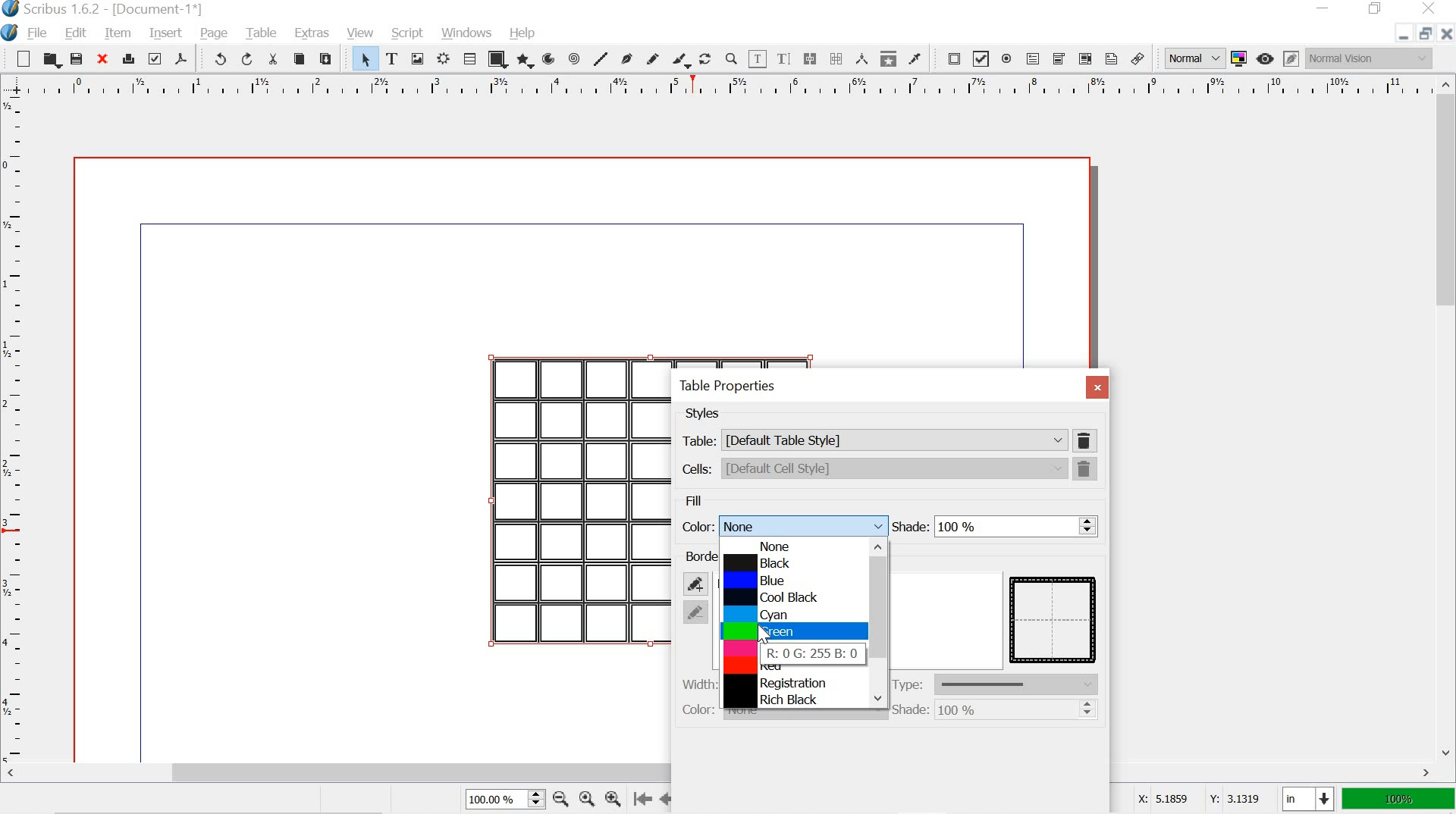  Describe the element at coordinates (154, 58) in the screenshot. I see `preflight verifier` at that location.